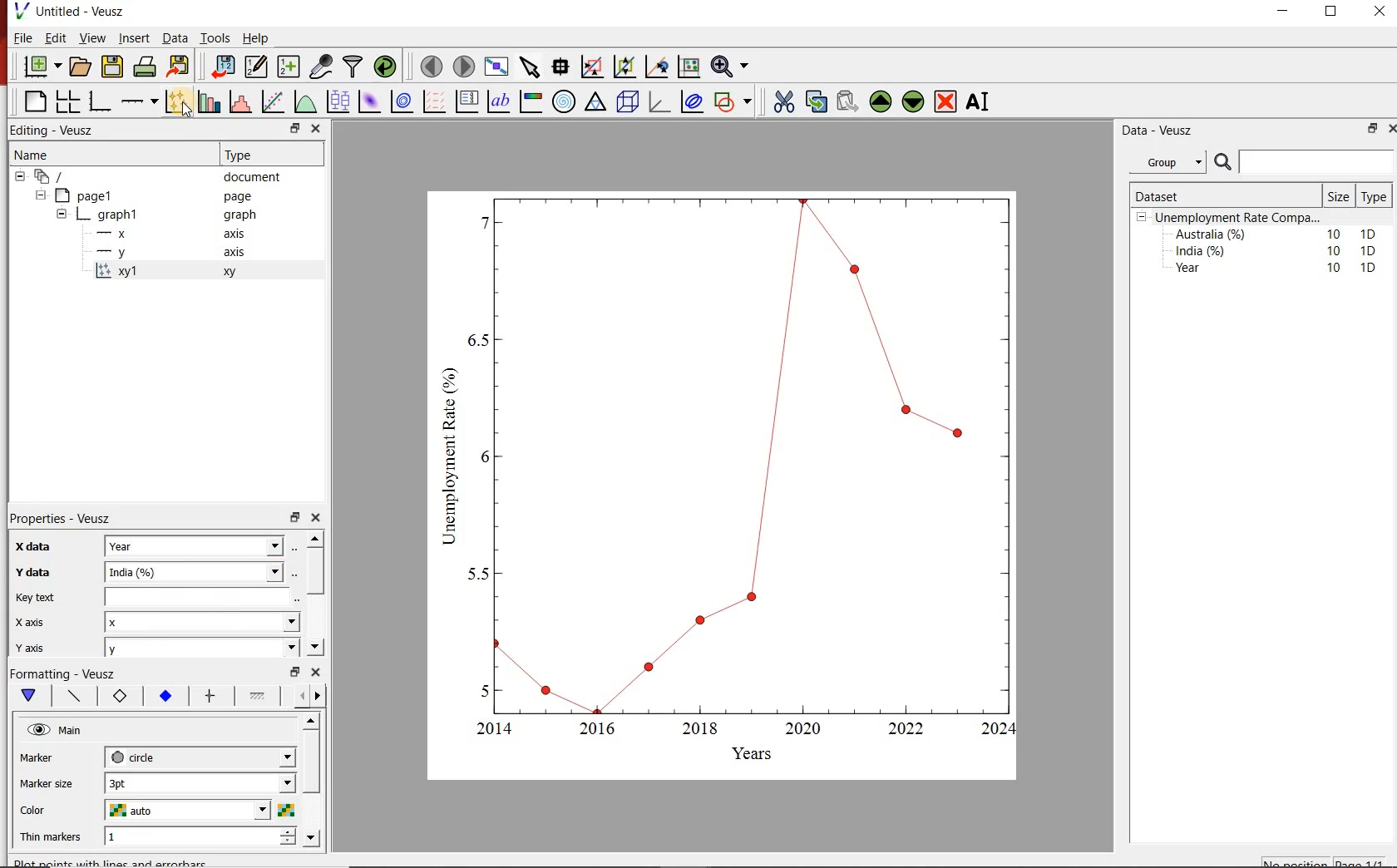 The width and height of the screenshot is (1397, 868). What do you see at coordinates (1333, 15) in the screenshot?
I see `maximise` at bounding box center [1333, 15].